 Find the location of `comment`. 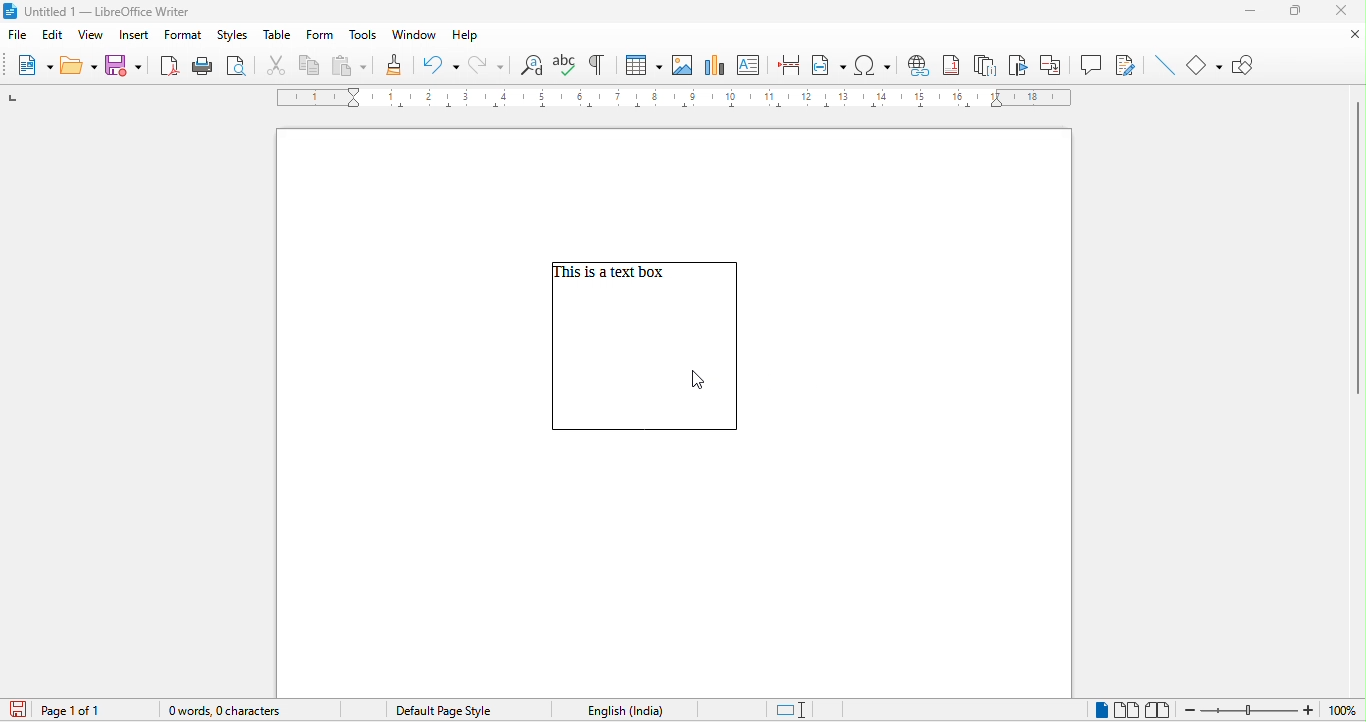

comment is located at coordinates (1091, 64).